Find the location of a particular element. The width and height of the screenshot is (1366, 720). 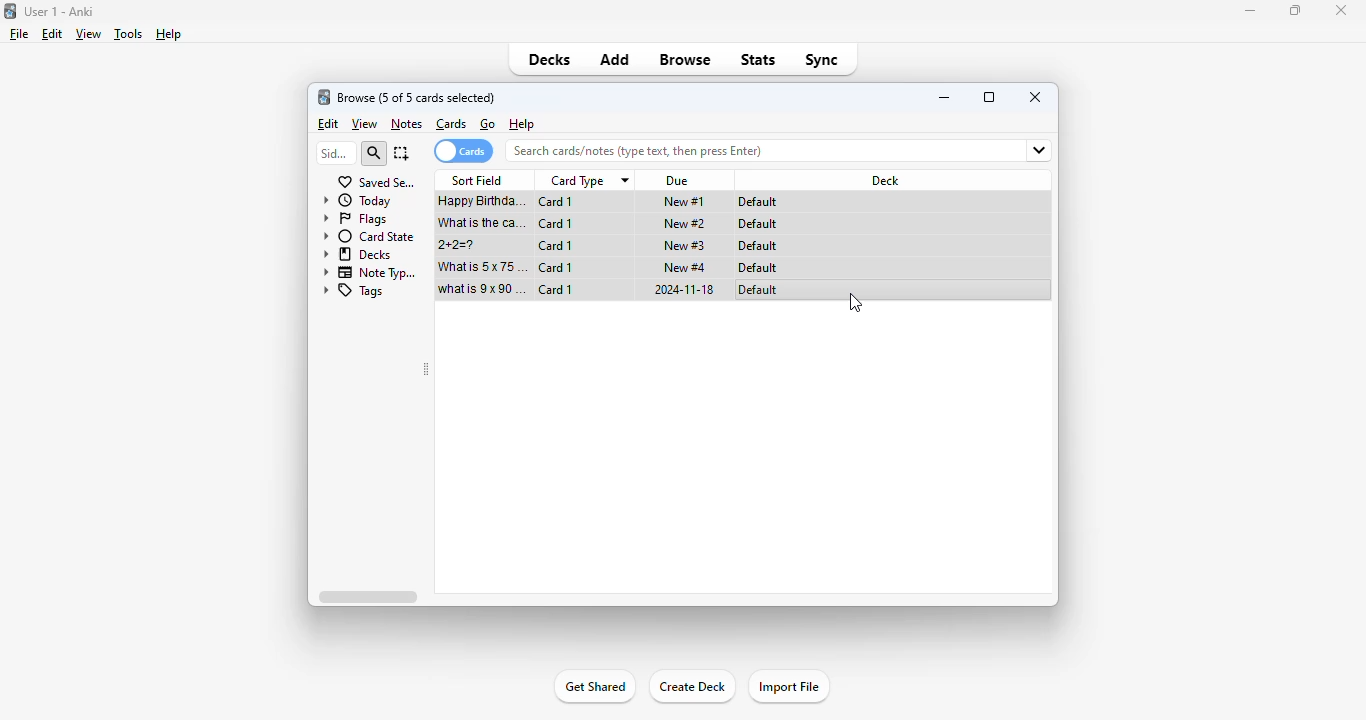

tools is located at coordinates (128, 35).